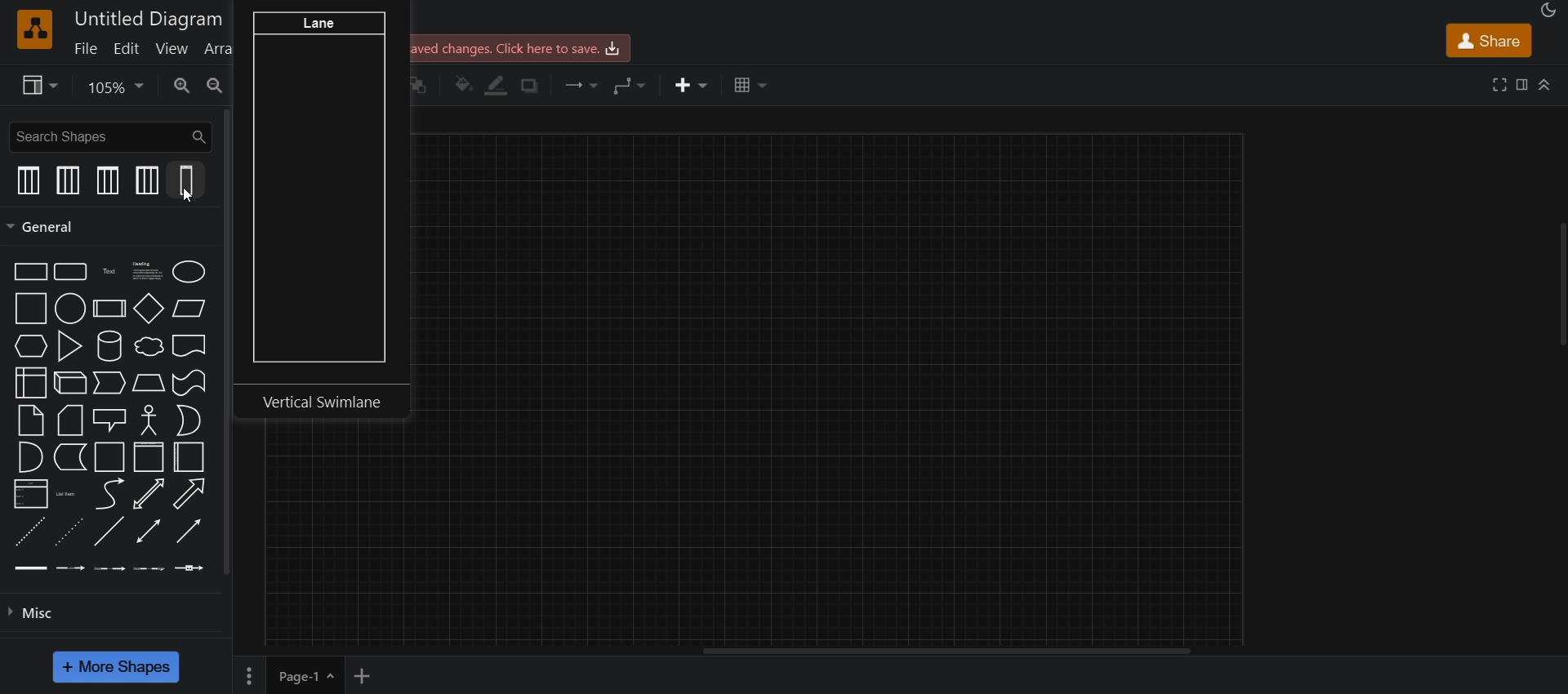 Image resolution: width=1568 pixels, height=694 pixels. I want to click on format, so click(1521, 85).